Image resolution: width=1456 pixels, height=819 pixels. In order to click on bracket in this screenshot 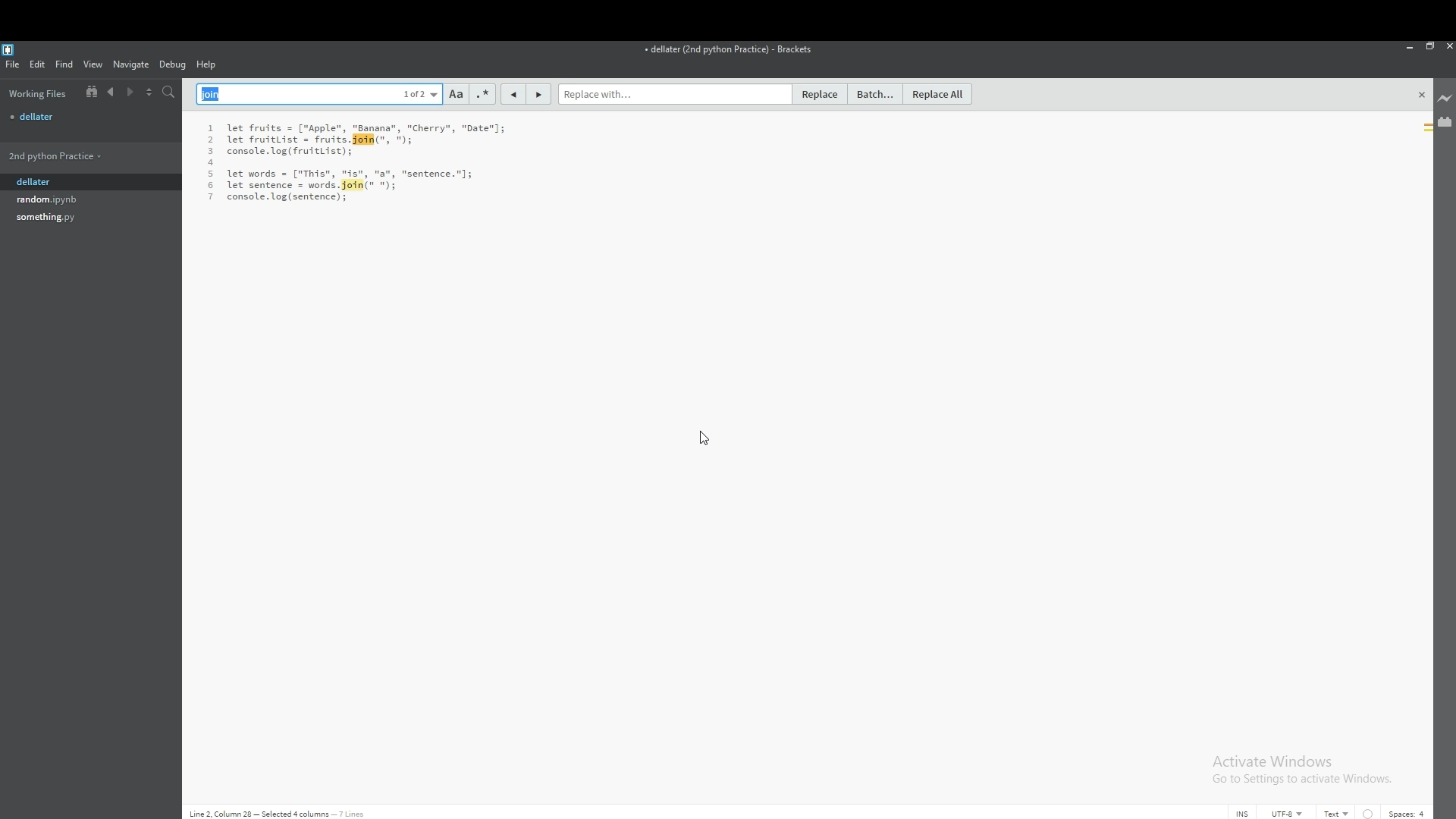, I will do `click(11, 49)`.